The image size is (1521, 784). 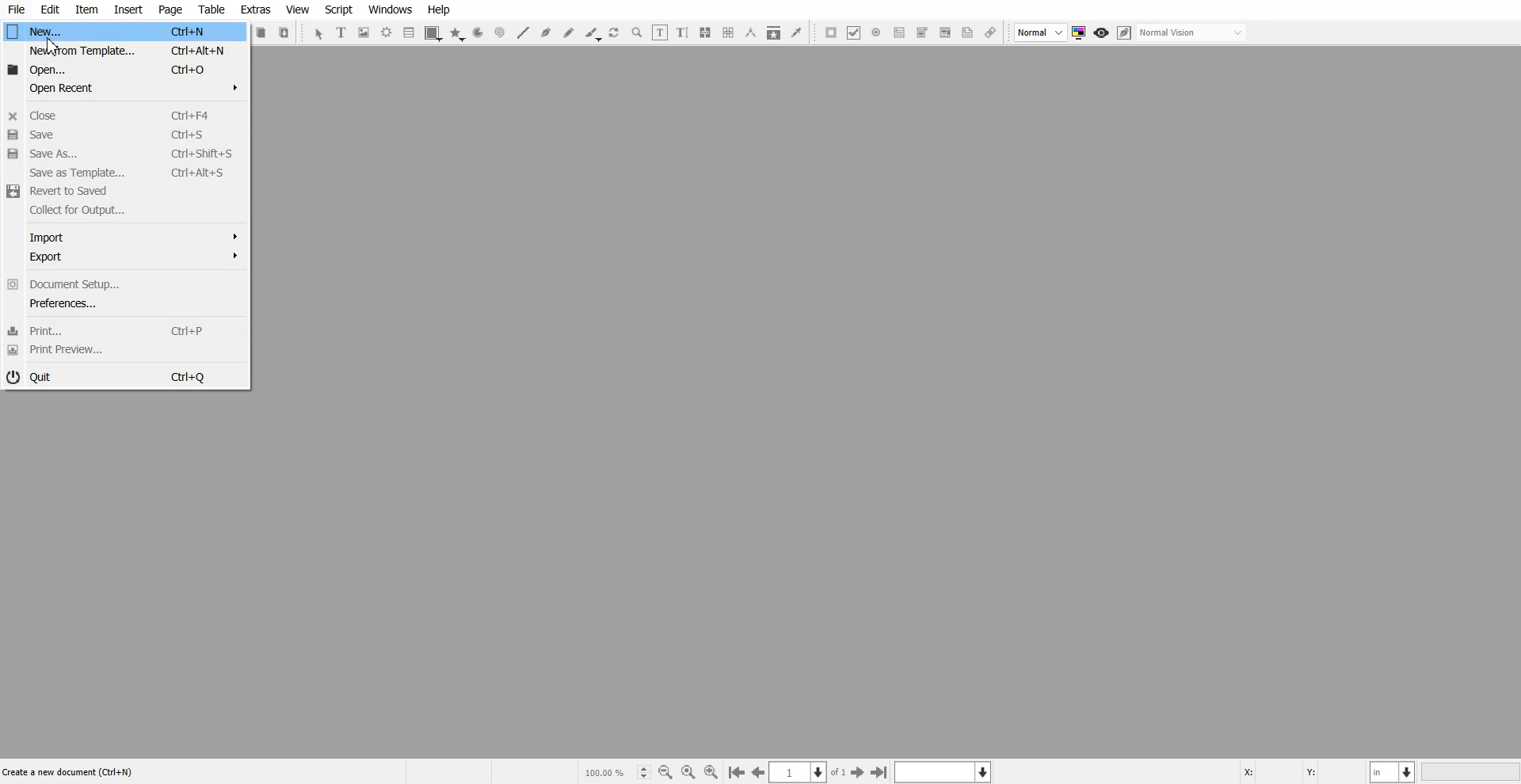 What do you see at coordinates (736, 773) in the screenshot?
I see `Go to the first page` at bounding box center [736, 773].